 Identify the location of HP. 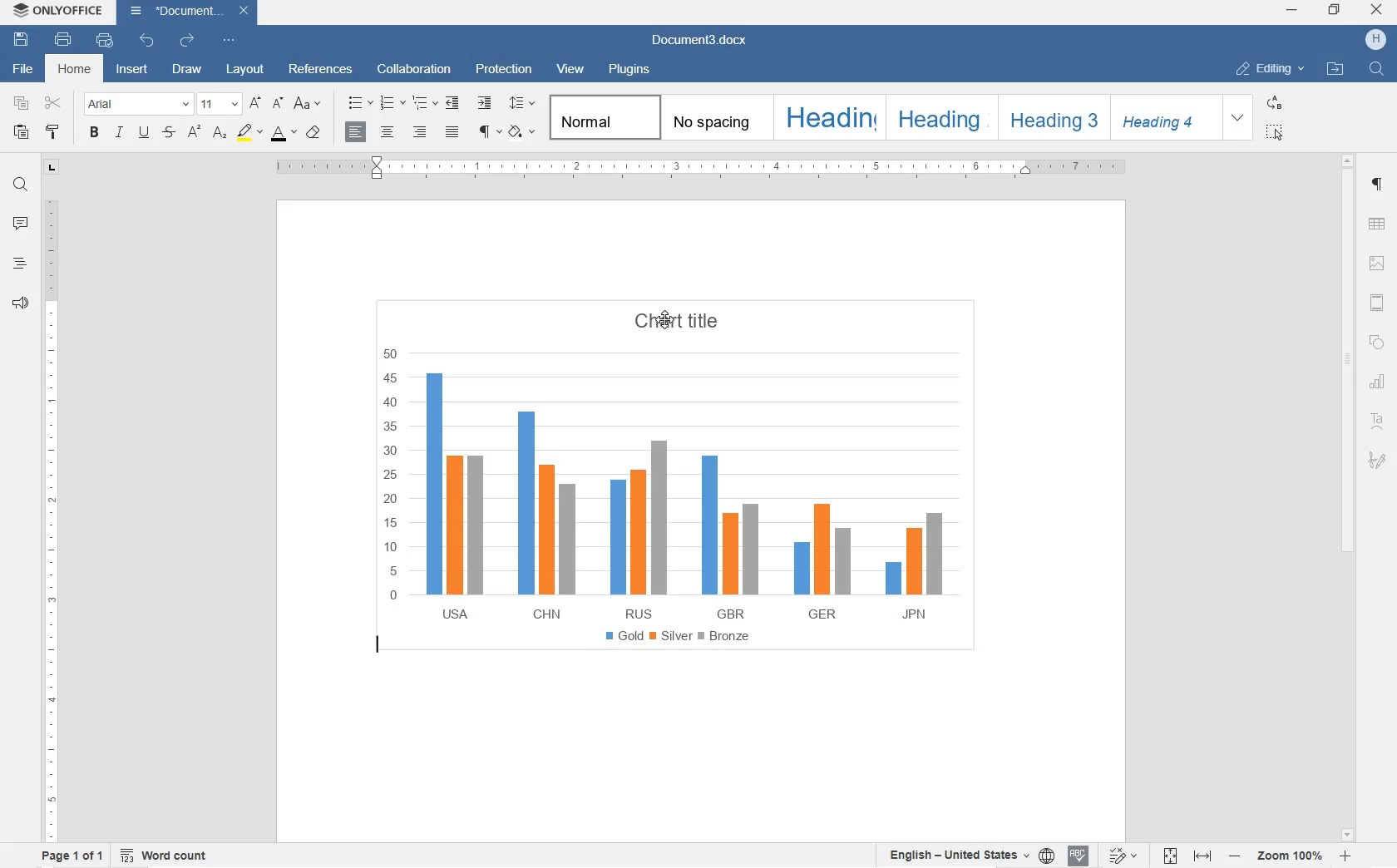
(1375, 39).